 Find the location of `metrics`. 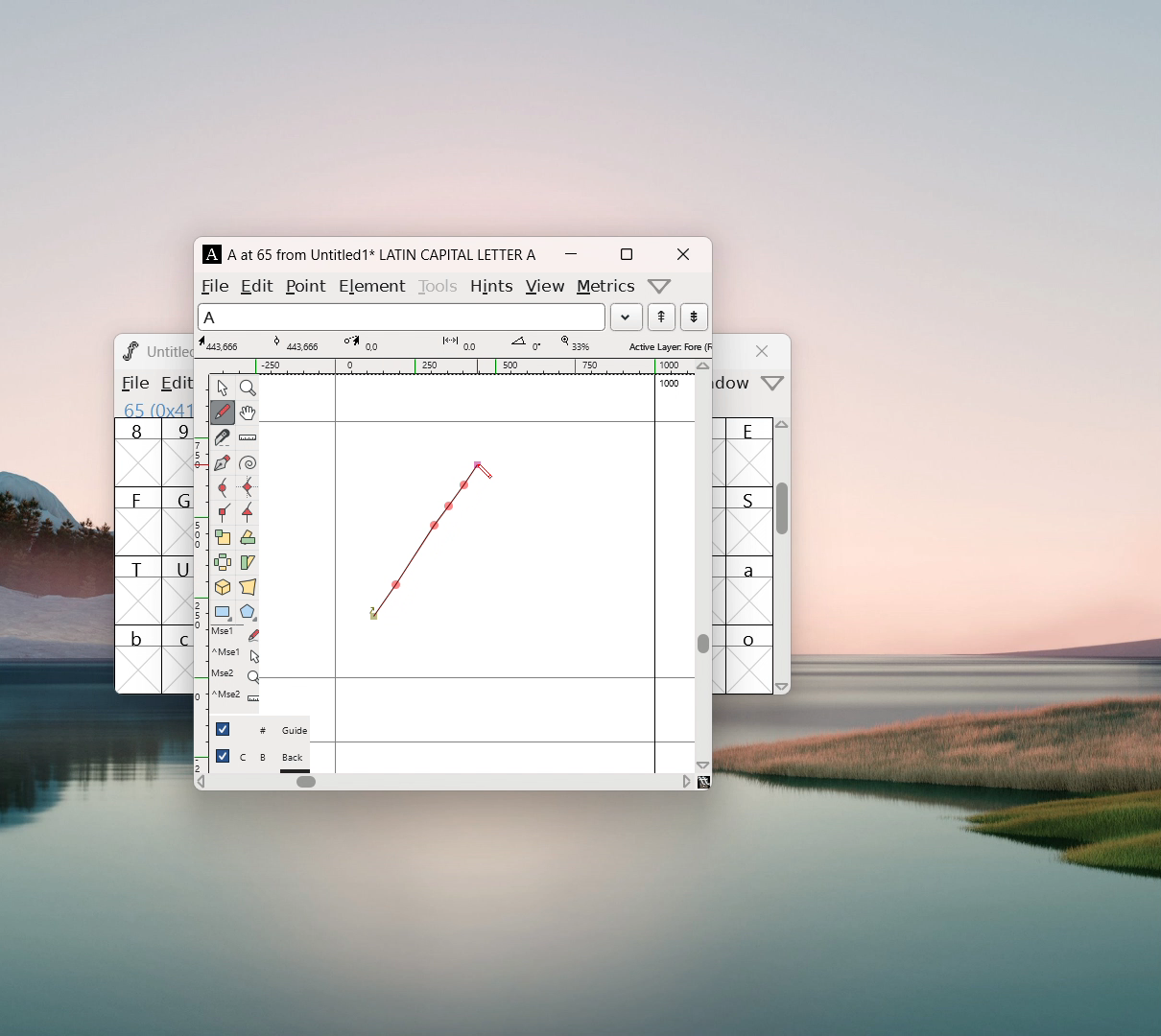

metrics is located at coordinates (606, 287).